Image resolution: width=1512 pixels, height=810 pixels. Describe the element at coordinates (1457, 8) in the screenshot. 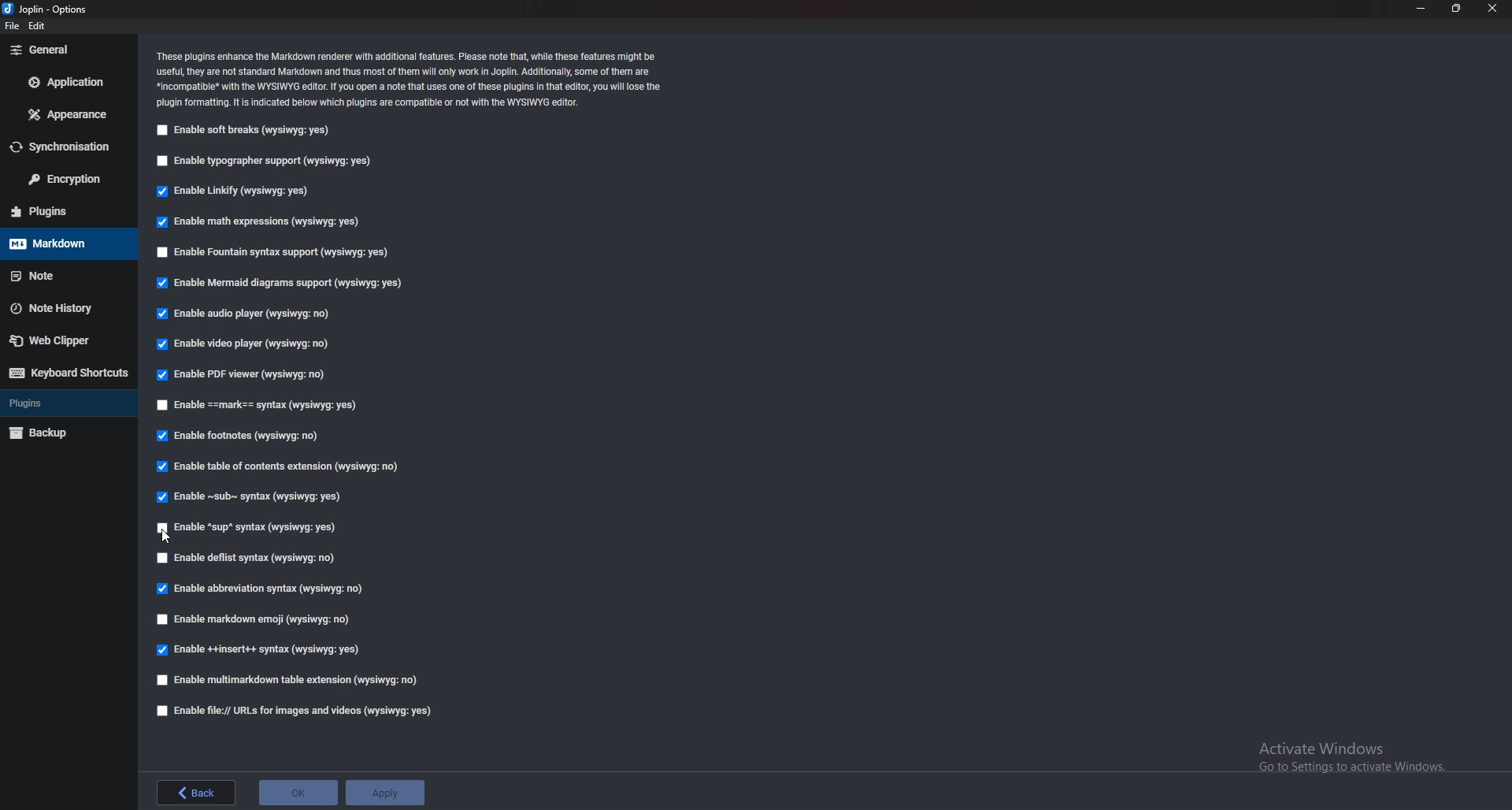

I see `resize` at that location.